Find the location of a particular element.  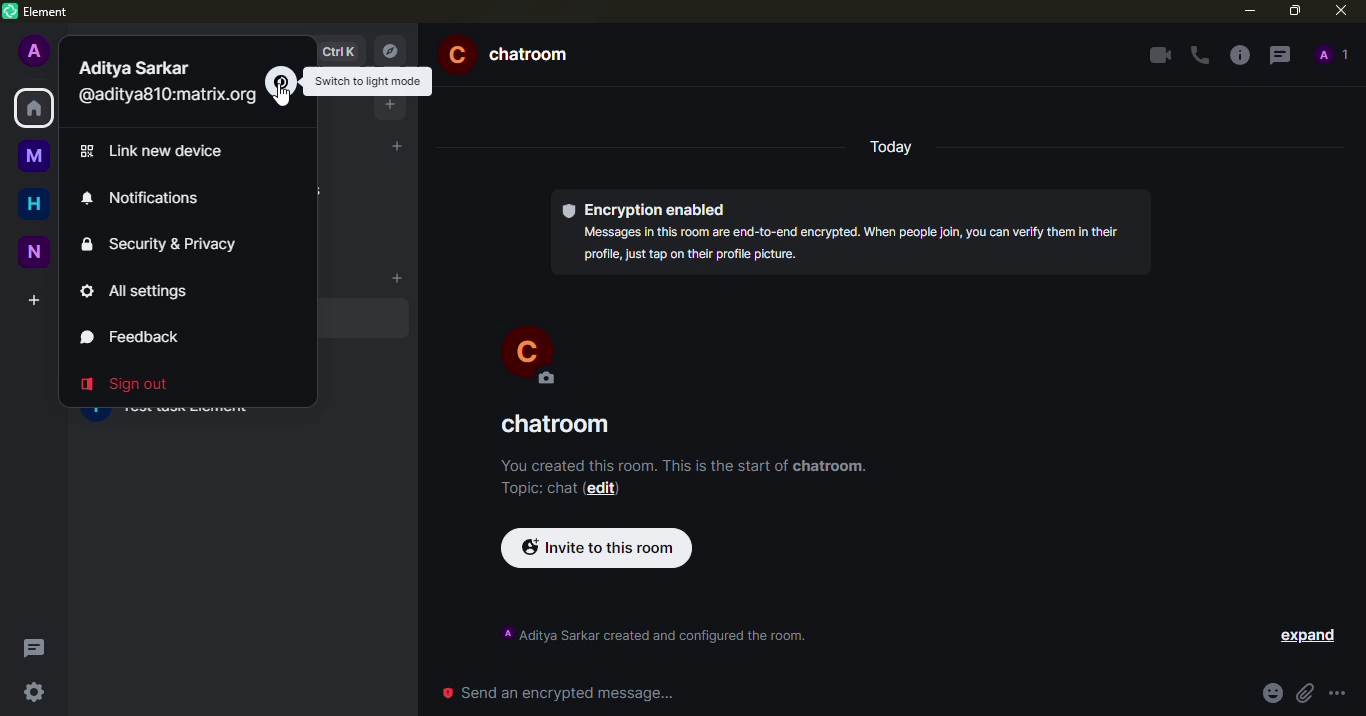

element is located at coordinates (49, 13).